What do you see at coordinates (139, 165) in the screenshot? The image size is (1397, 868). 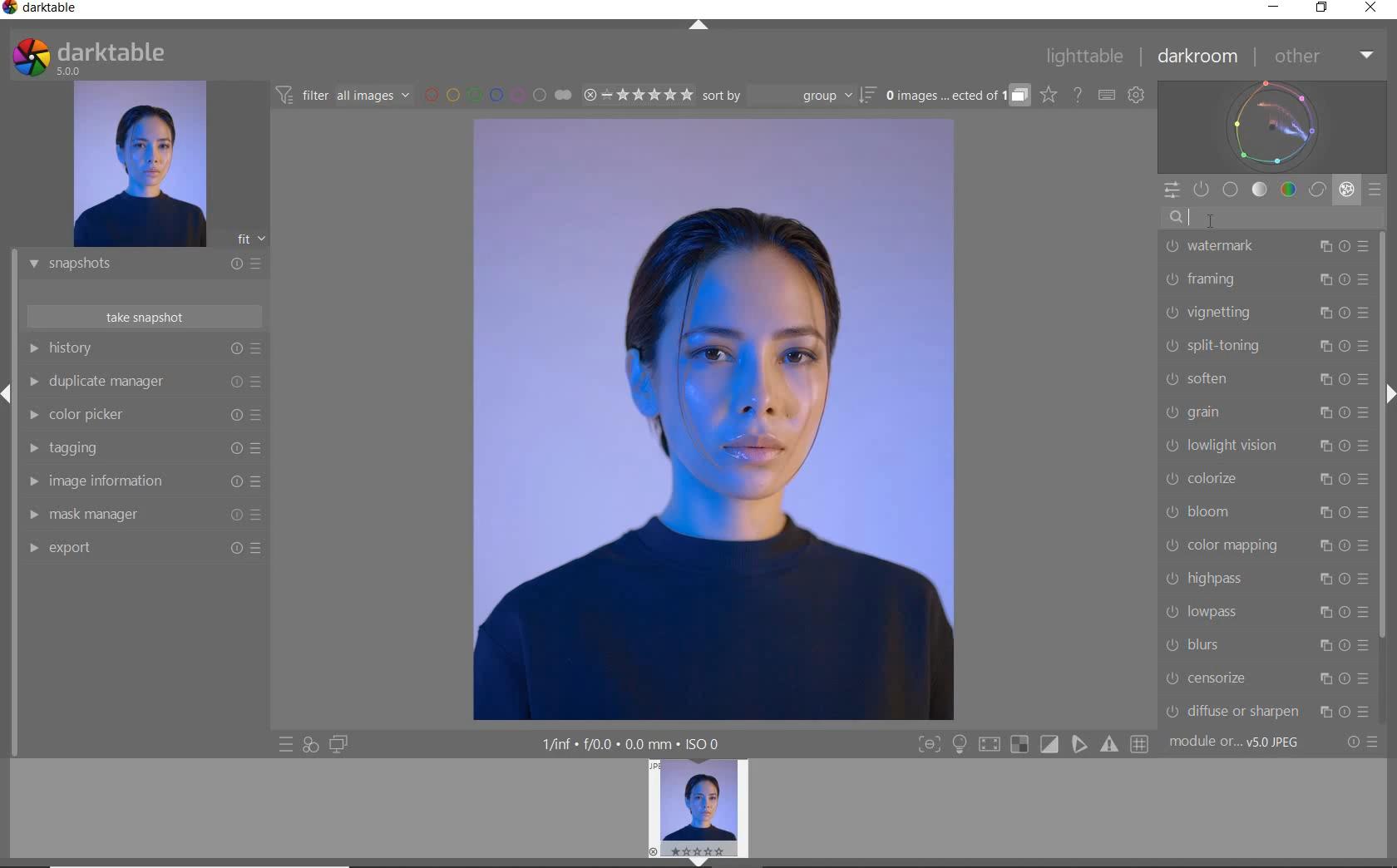 I see `IMAGE PREVIEW` at bounding box center [139, 165].